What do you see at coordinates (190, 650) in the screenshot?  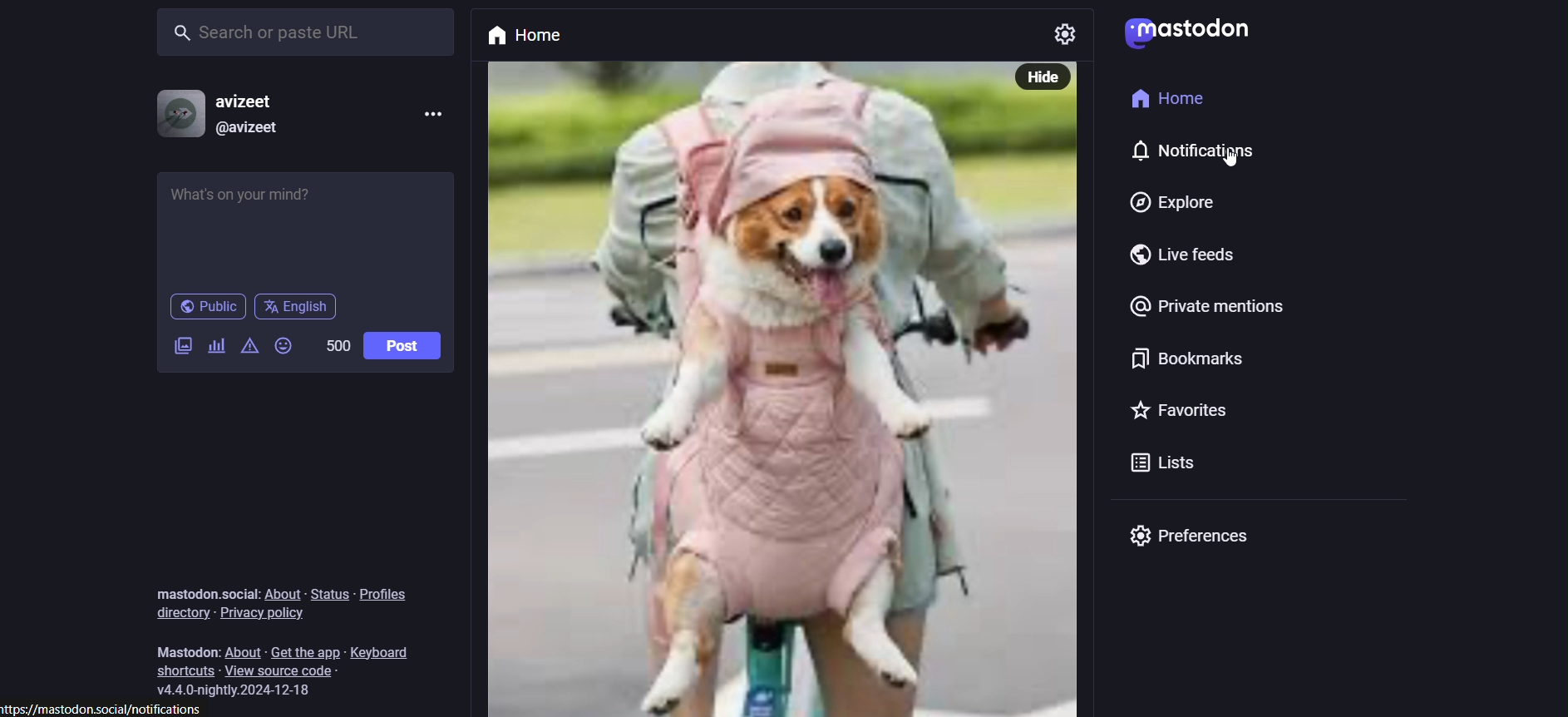 I see `text` at bounding box center [190, 650].